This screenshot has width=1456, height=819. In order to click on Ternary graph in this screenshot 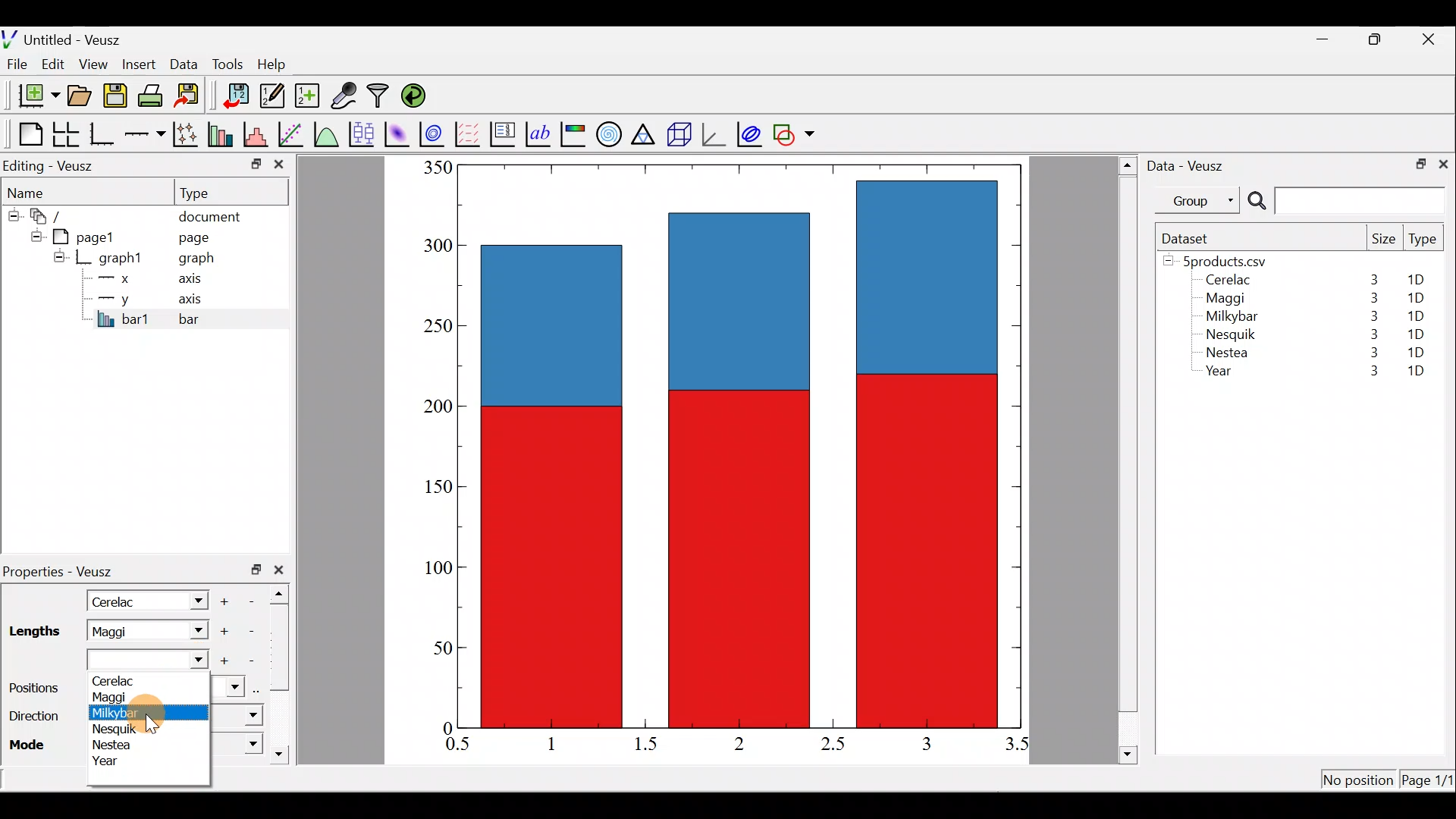, I will do `click(645, 132)`.